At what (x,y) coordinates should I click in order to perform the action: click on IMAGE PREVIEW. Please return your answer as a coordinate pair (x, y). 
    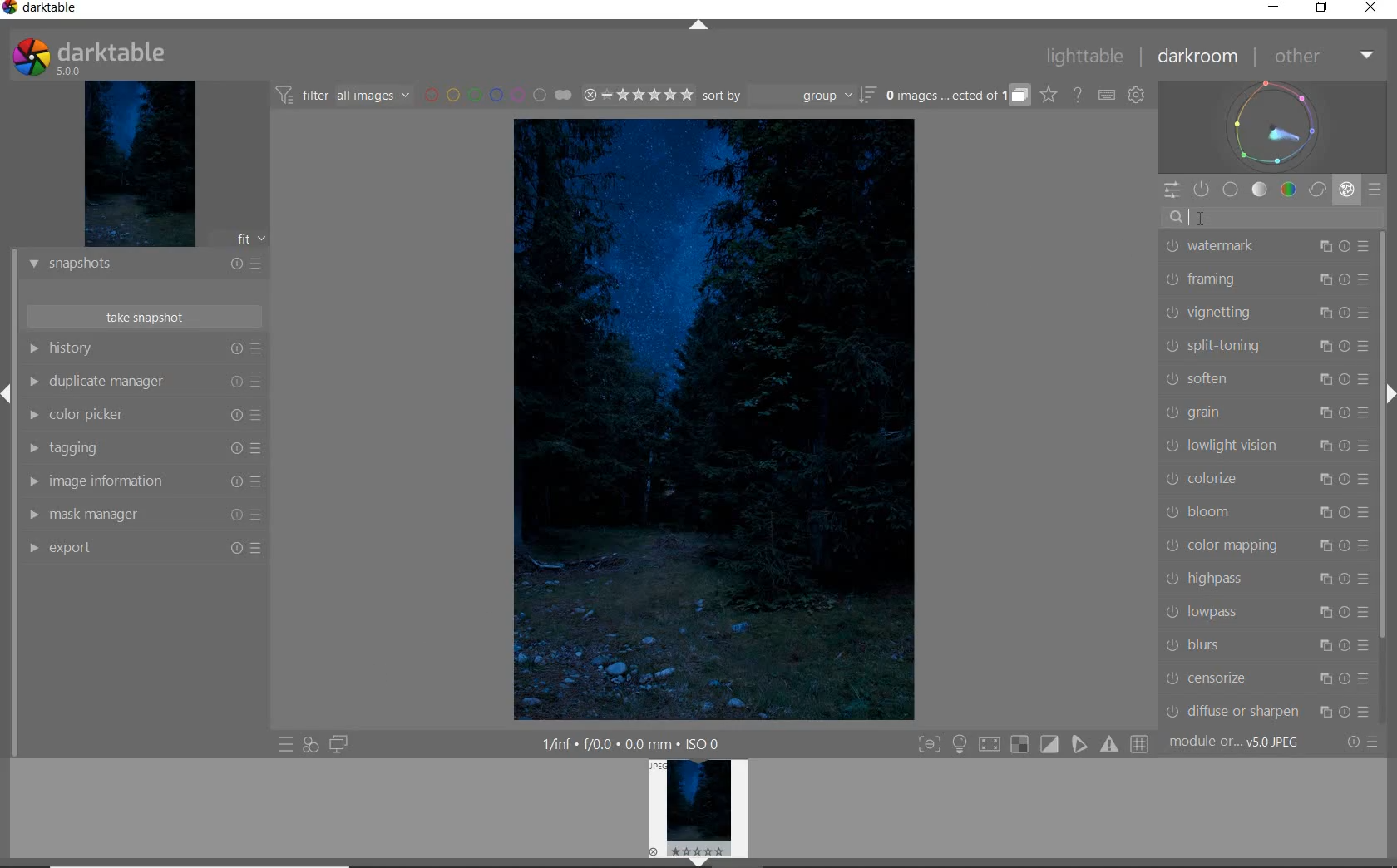
    Looking at the image, I should click on (141, 162).